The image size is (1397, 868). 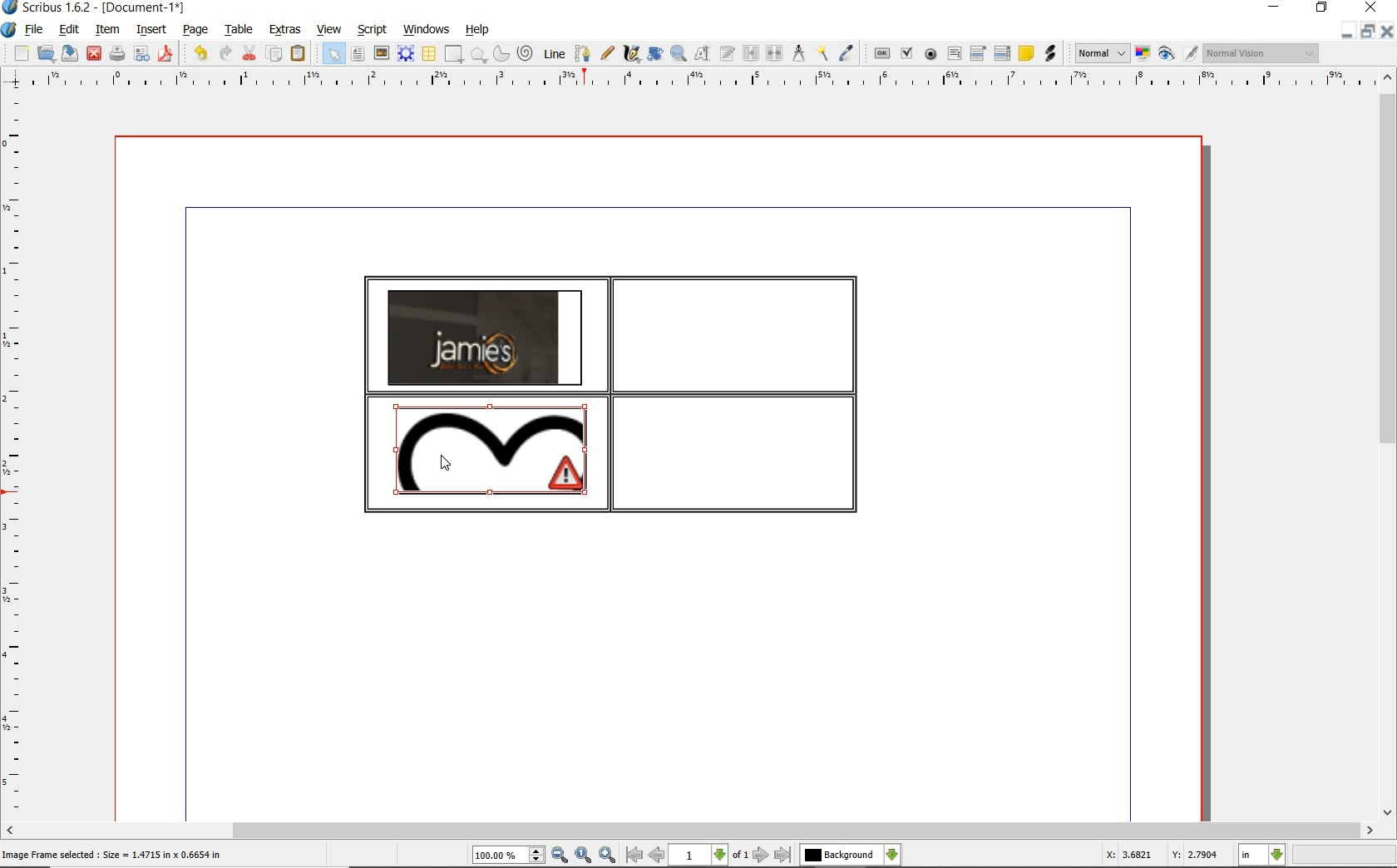 What do you see at coordinates (373, 30) in the screenshot?
I see `script` at bounding box center [373, 30].